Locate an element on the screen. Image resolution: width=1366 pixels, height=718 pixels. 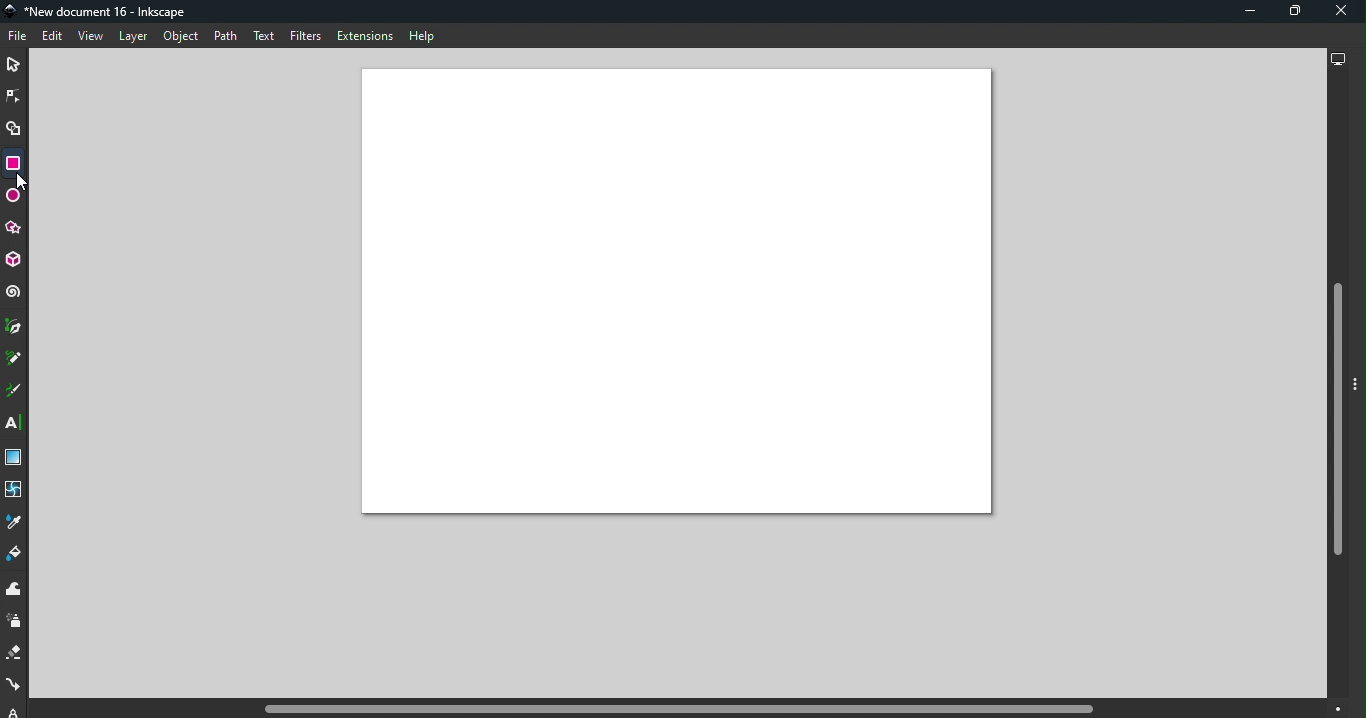
Text is located at coordinates (266, 37).